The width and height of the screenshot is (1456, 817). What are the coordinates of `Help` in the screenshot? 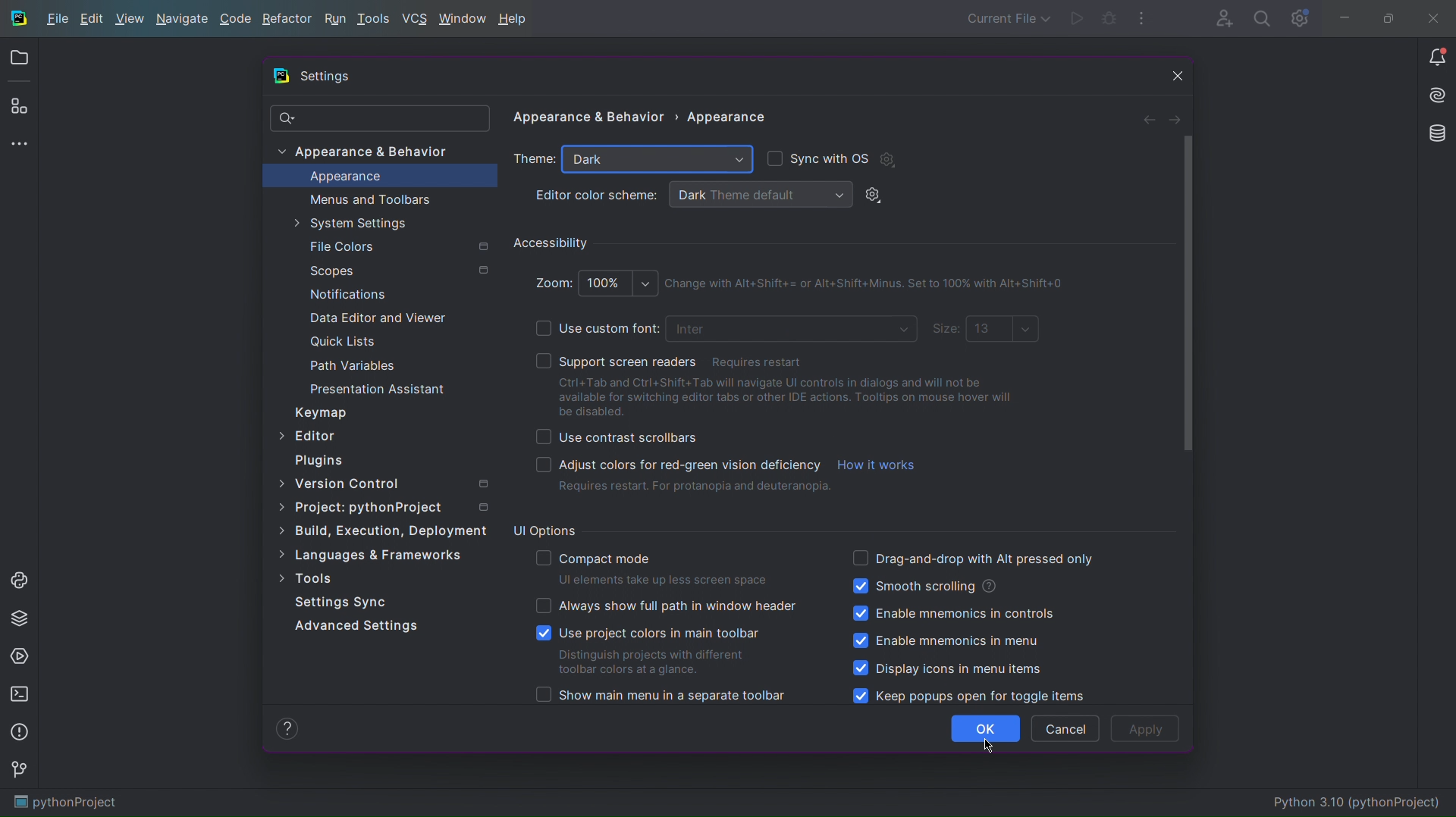 It's located at (287, 728).